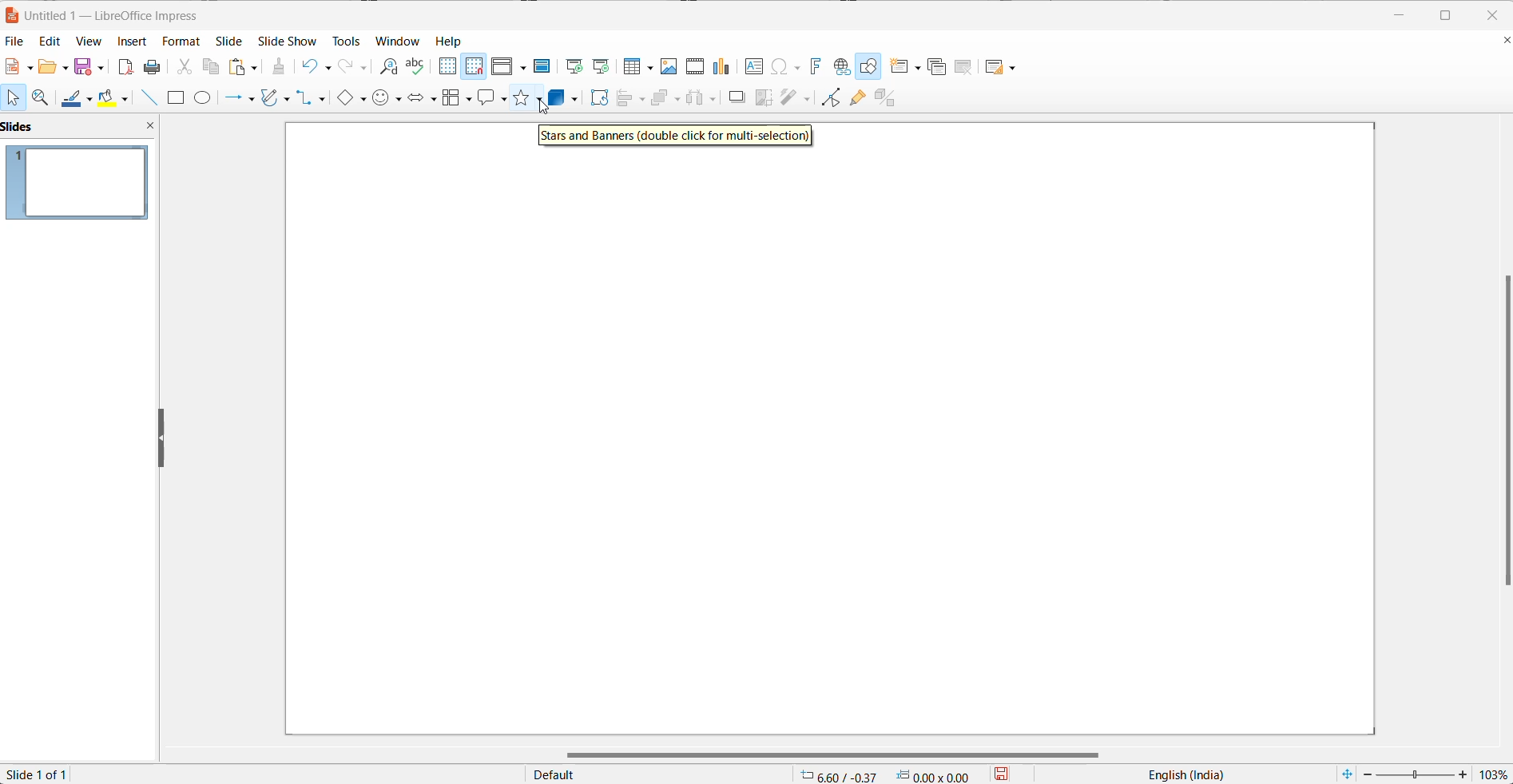  What do you see at coordinates (829, 100) in the screenshot?
I see `show toggle edit mode` at bounding box center [829, 100].